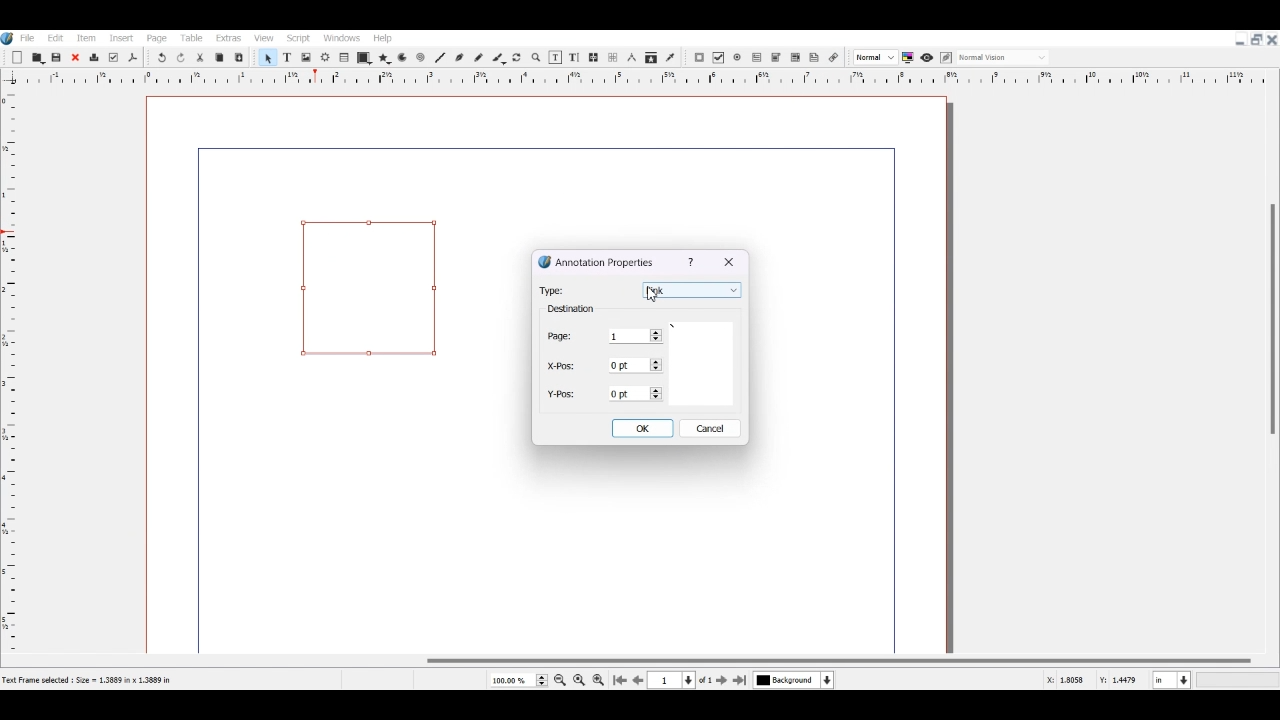 This screenshot has width=1280, height=720. Describe the element at coordinates (326, 57) in the screenshot. I see `Render frame` at that location.